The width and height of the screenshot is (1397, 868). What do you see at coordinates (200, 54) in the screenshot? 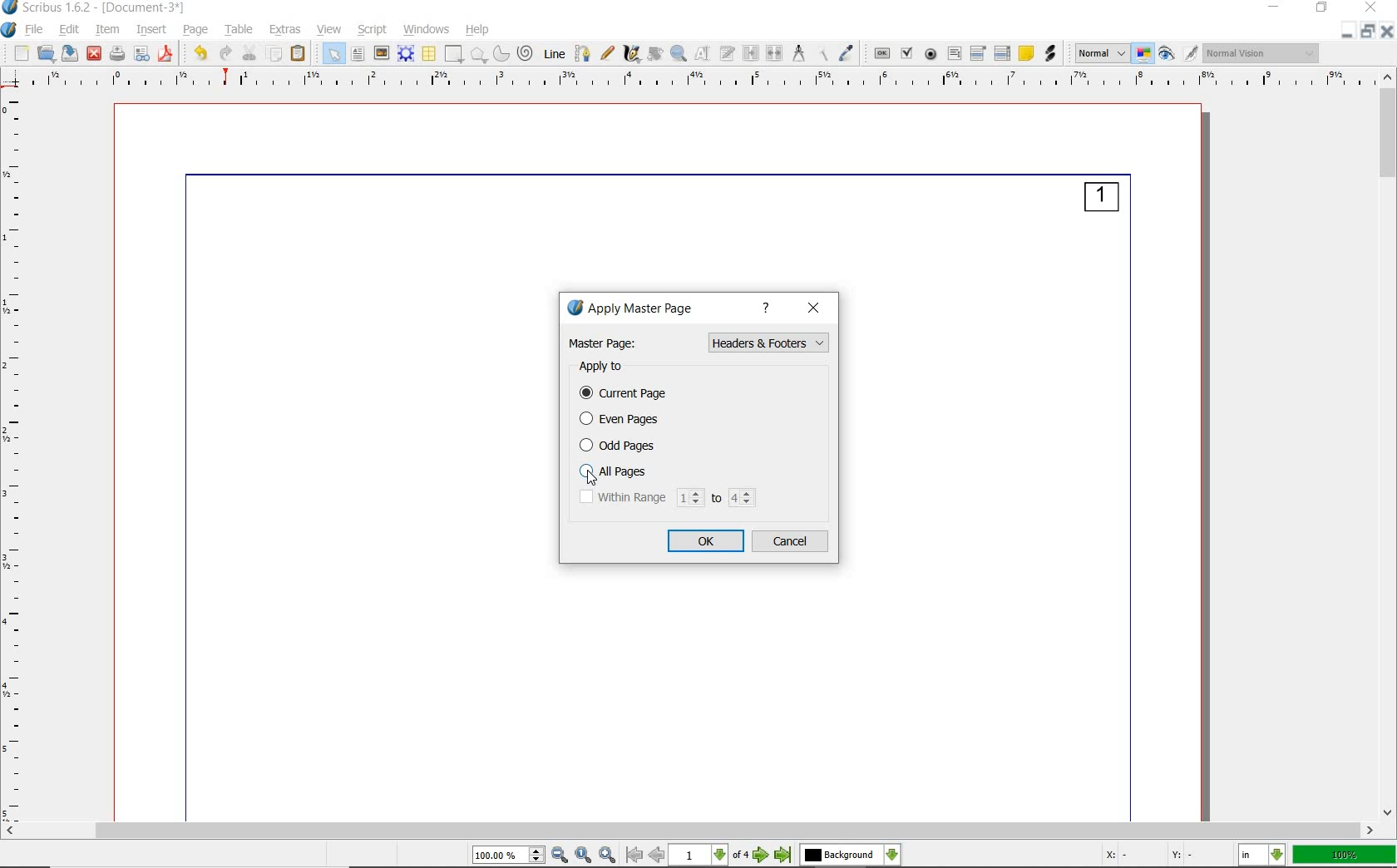
I see `undo` at bounding box center [200, 54].